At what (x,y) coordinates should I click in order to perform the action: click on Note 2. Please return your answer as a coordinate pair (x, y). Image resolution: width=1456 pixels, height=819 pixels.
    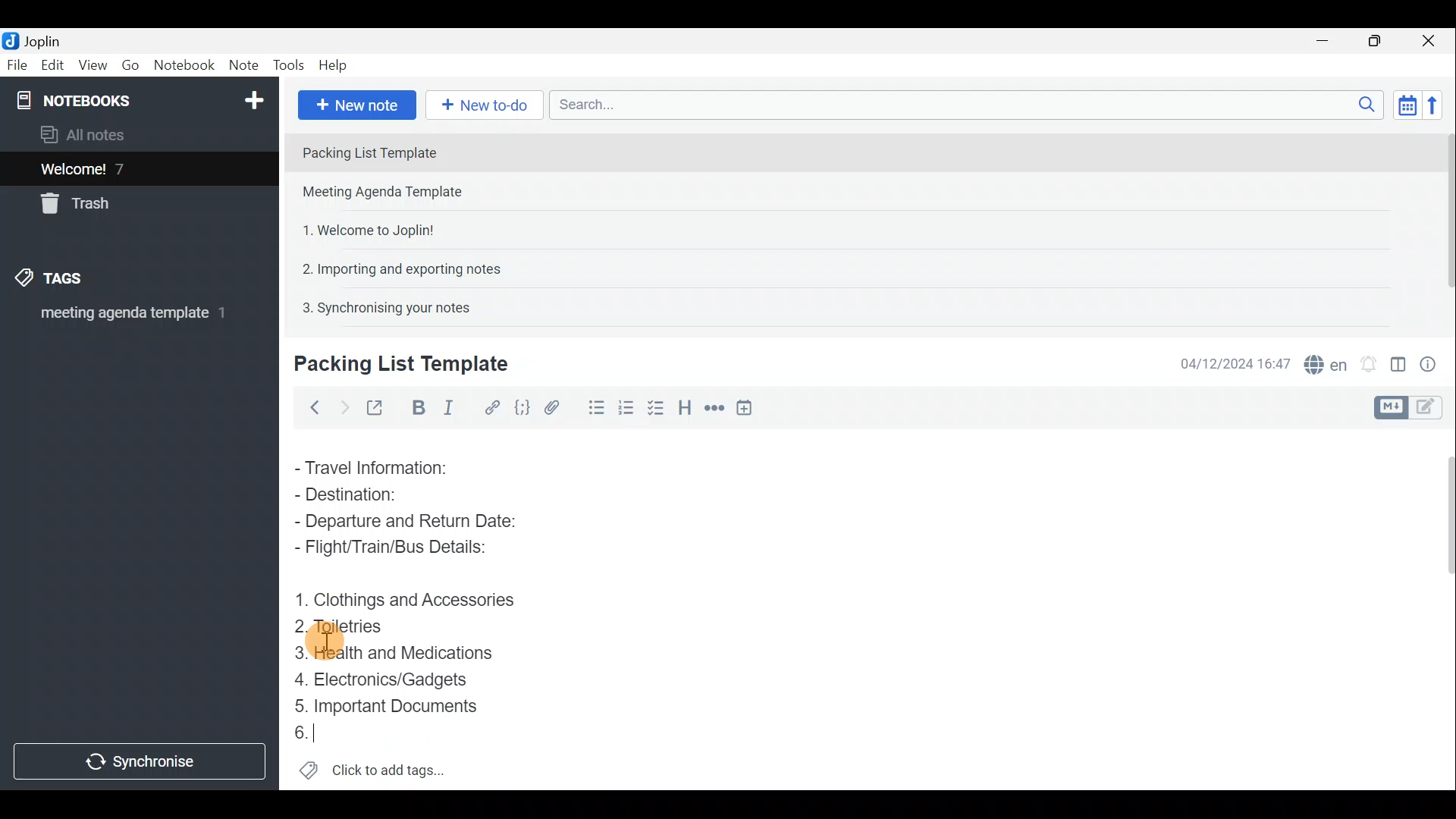
    Looking at the image, I should click on (397, 193).